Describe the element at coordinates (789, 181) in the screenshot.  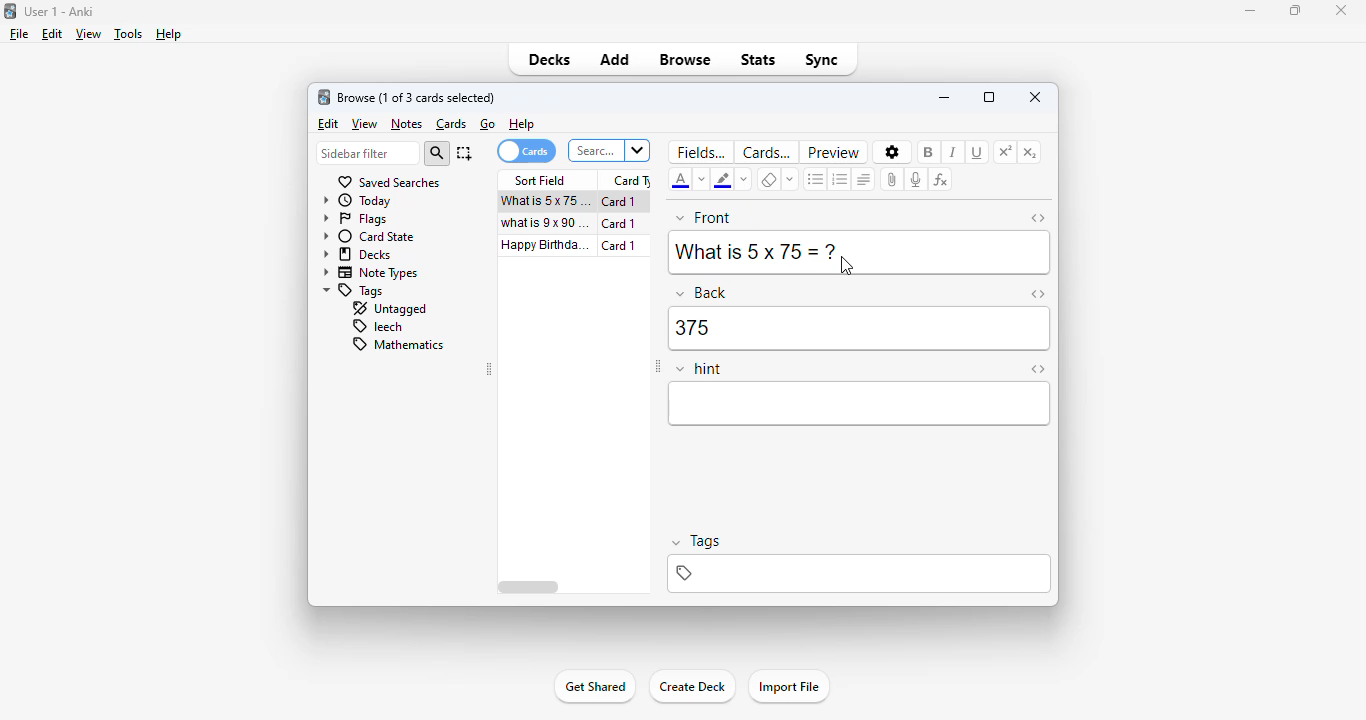
I see `select formatting to remove` at that location.